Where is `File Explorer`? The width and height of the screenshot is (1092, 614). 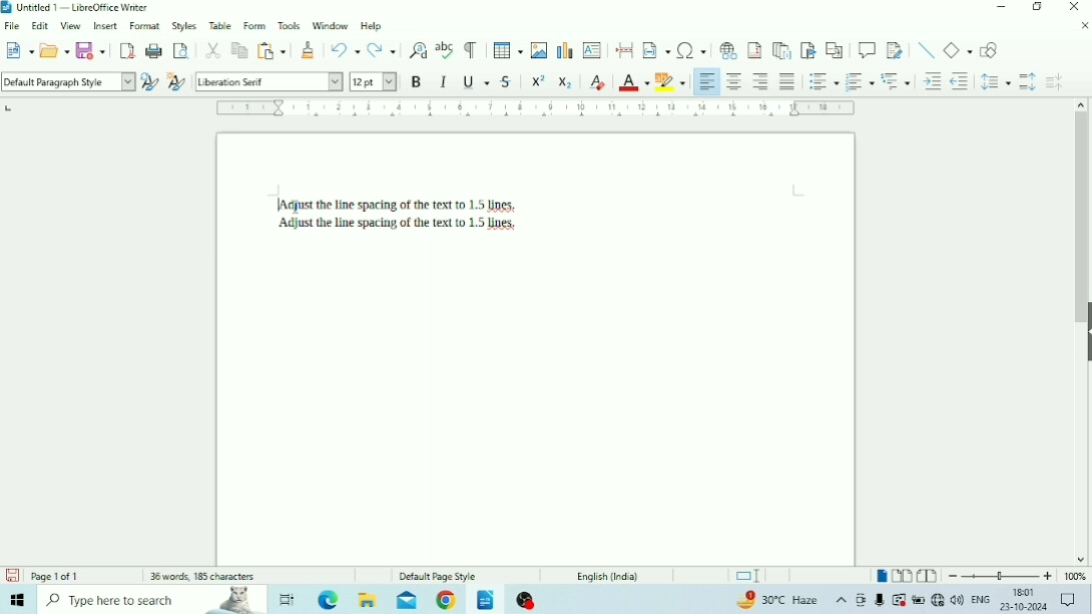 File Explorer is located at coordinates (367, 599).